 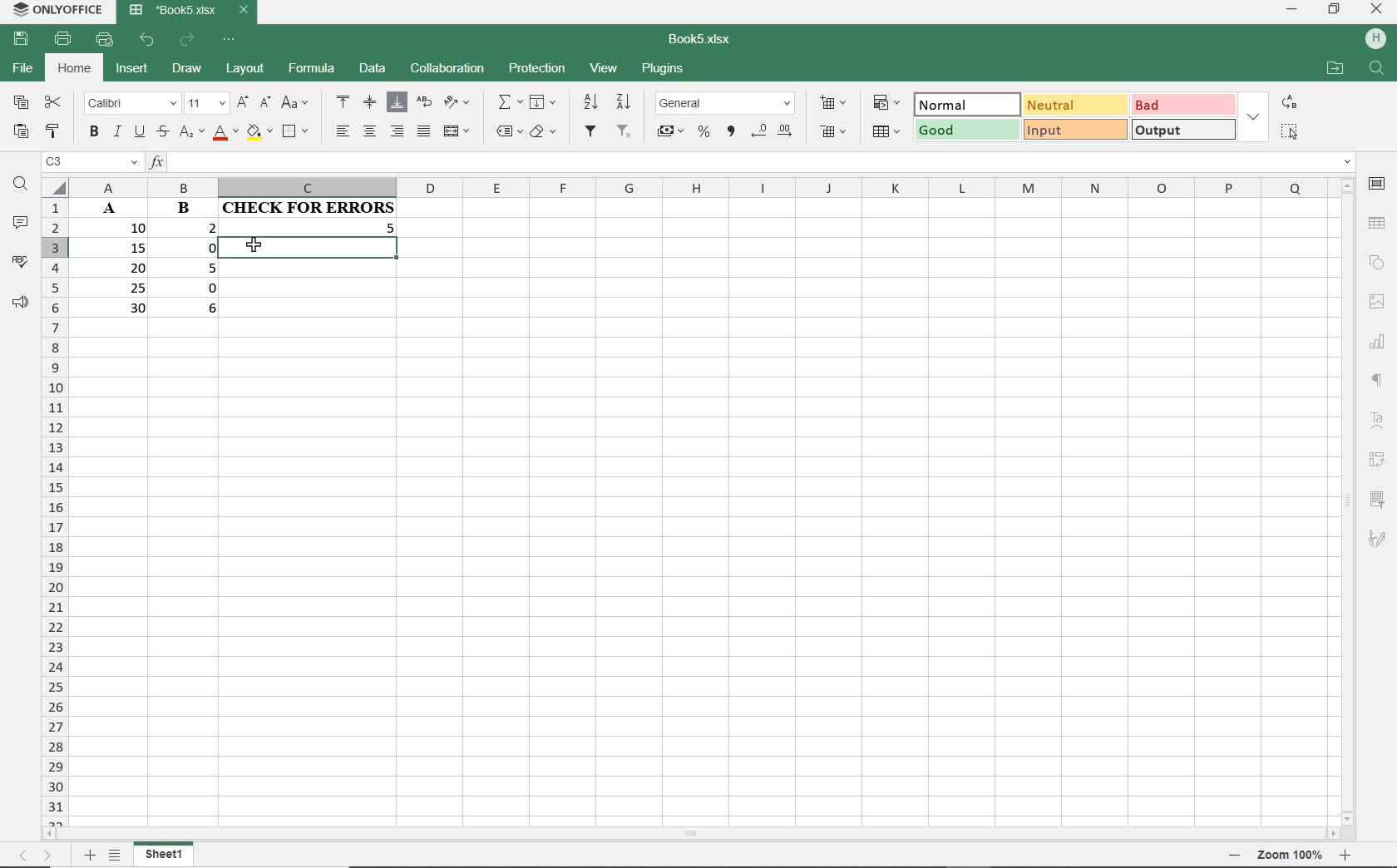 What do you see at coordinates (1183, 104) in the screenshot?
I see `BAD` at bounding box center [1183, 104].